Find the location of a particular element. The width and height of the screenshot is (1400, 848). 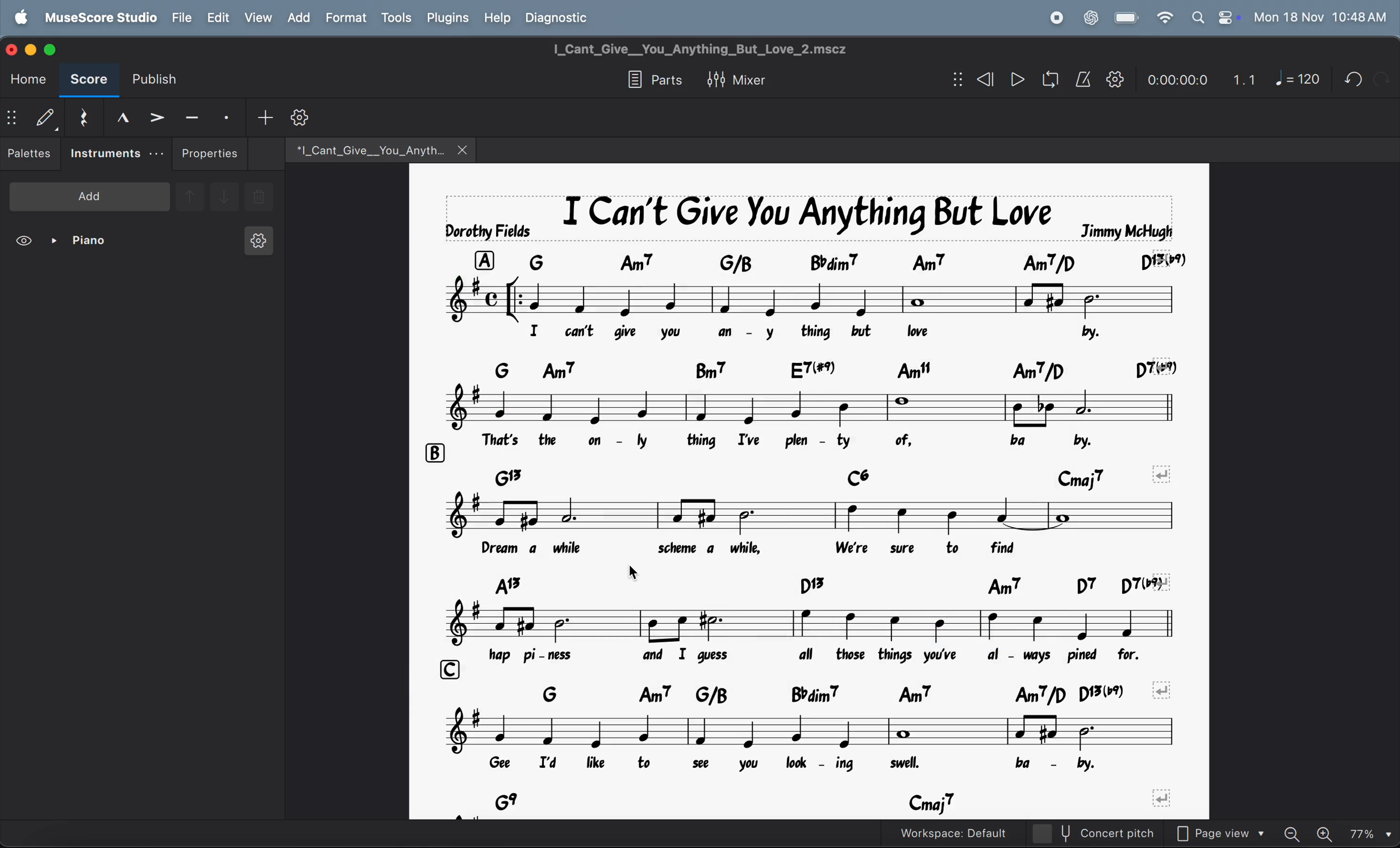

notes is located at coordinates (738, 403).